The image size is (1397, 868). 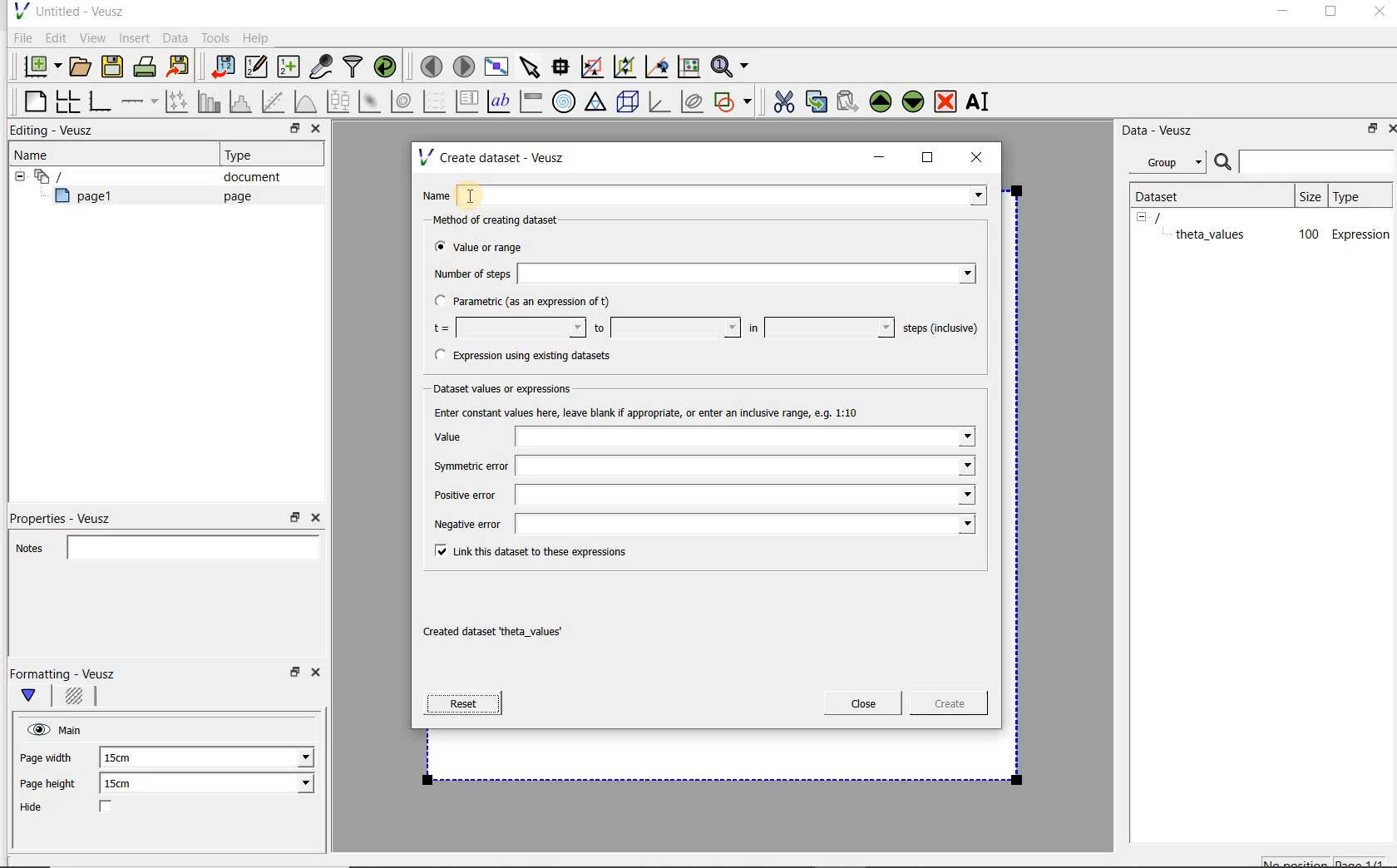 What do you see at coordinates (493, 244) in the screenshot?
I see `Value or range` at bounding box center [493, 244].